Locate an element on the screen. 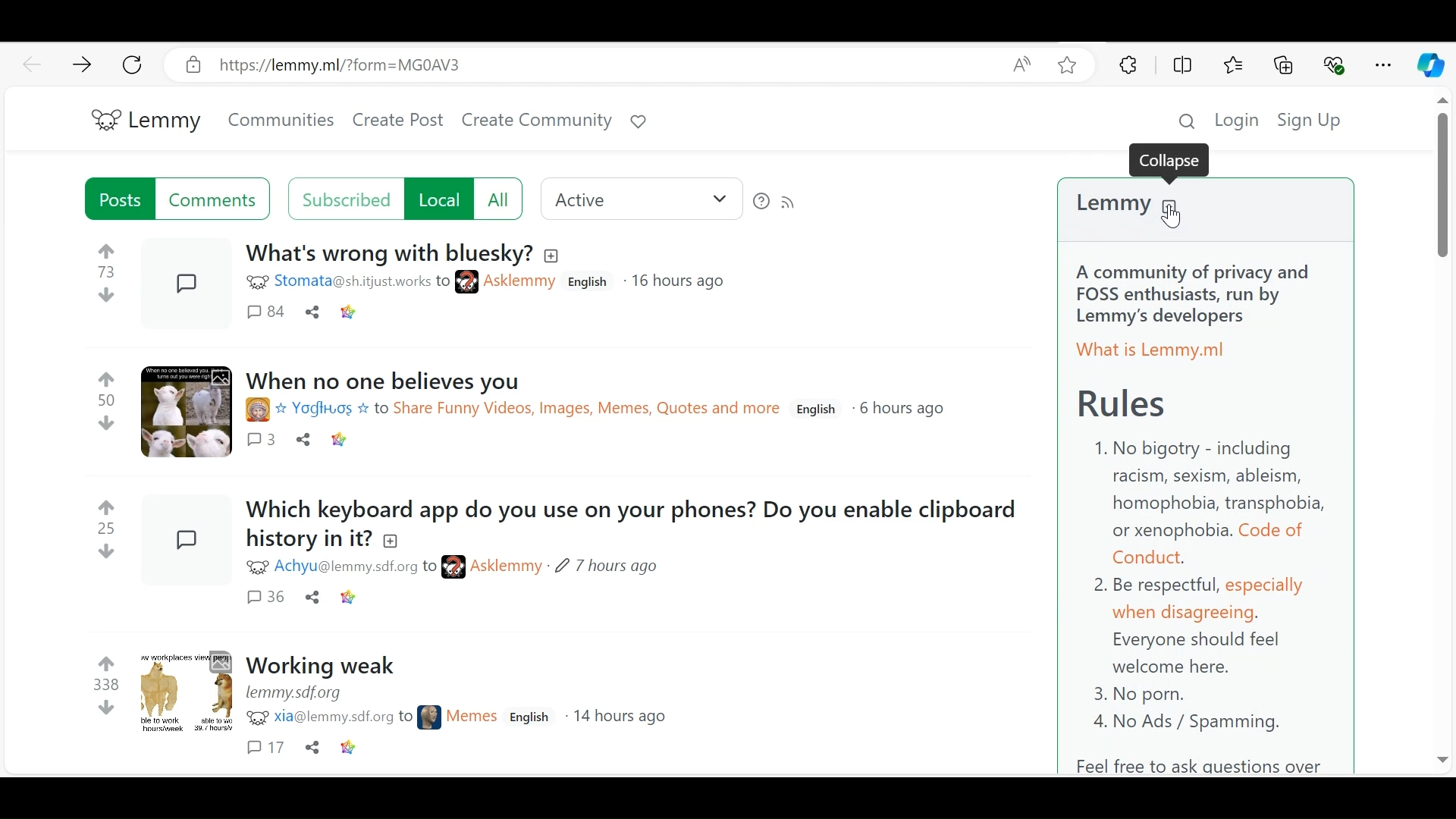 Image resolution: width=1456 pixels, height=819 pixels.  is located at coordinates (312, 746).